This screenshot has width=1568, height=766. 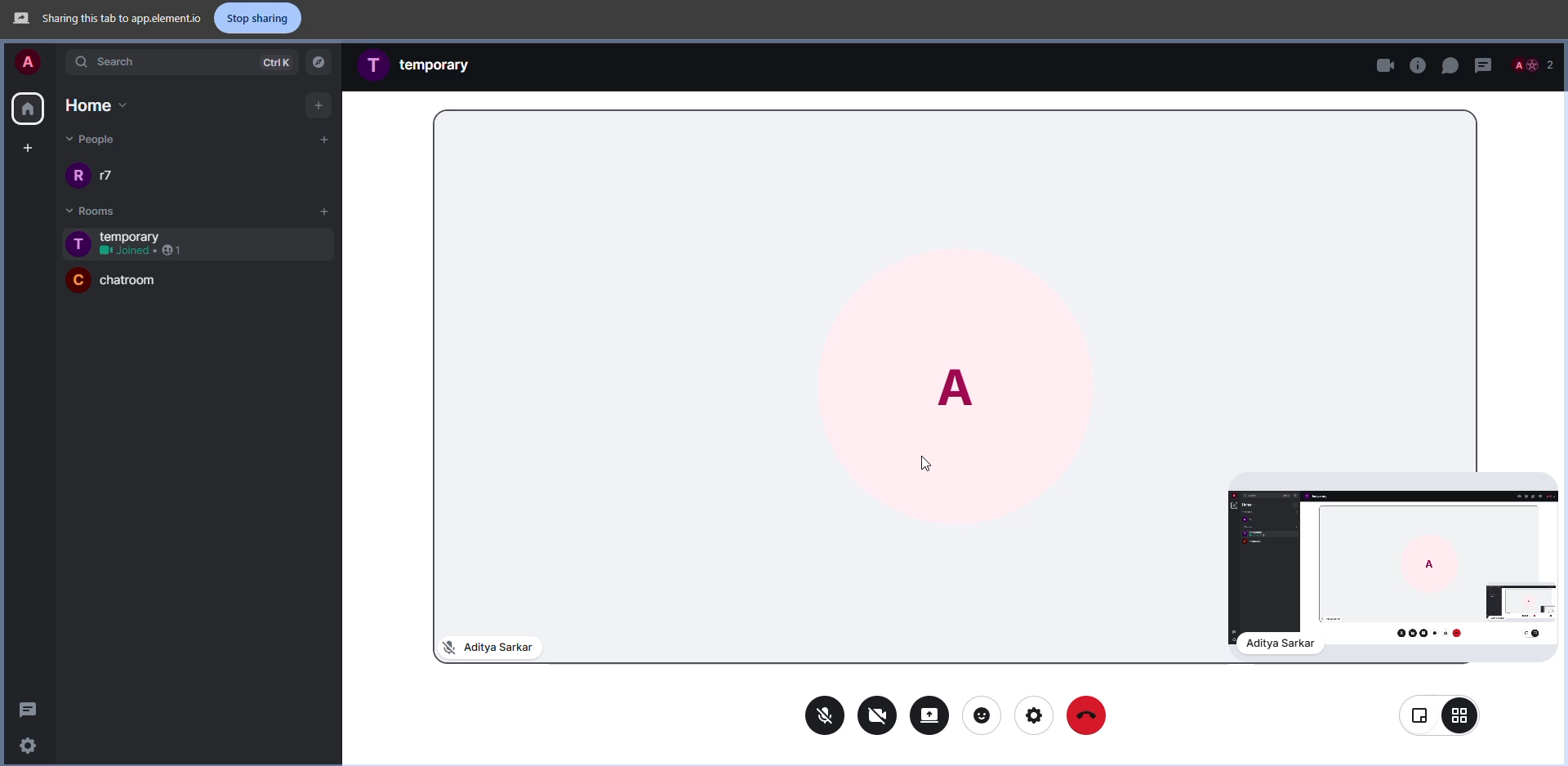 I want to click on account, so click(x=29, y=62).